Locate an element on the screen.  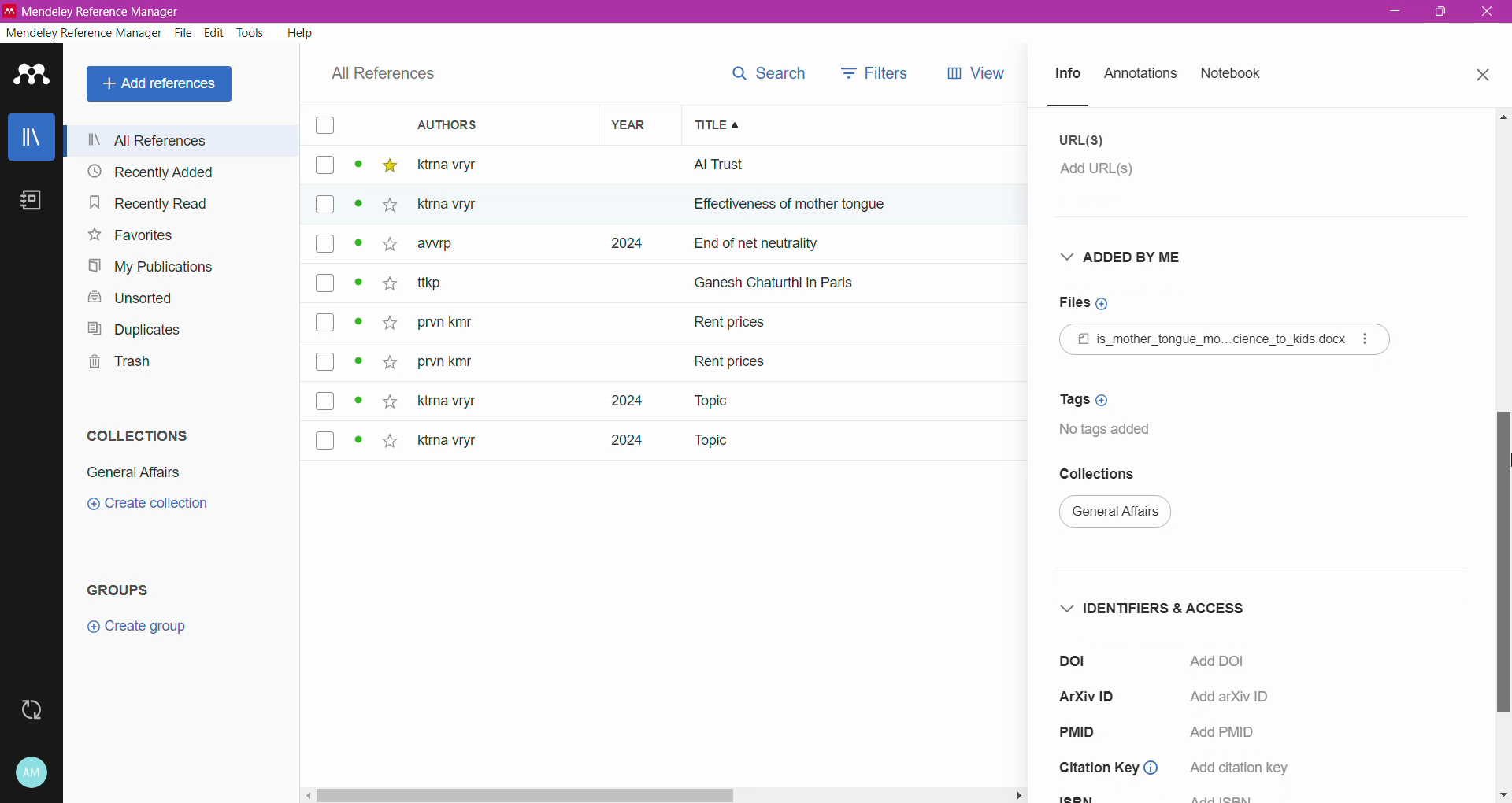
General Affairs is located at coordinates (134, 472).